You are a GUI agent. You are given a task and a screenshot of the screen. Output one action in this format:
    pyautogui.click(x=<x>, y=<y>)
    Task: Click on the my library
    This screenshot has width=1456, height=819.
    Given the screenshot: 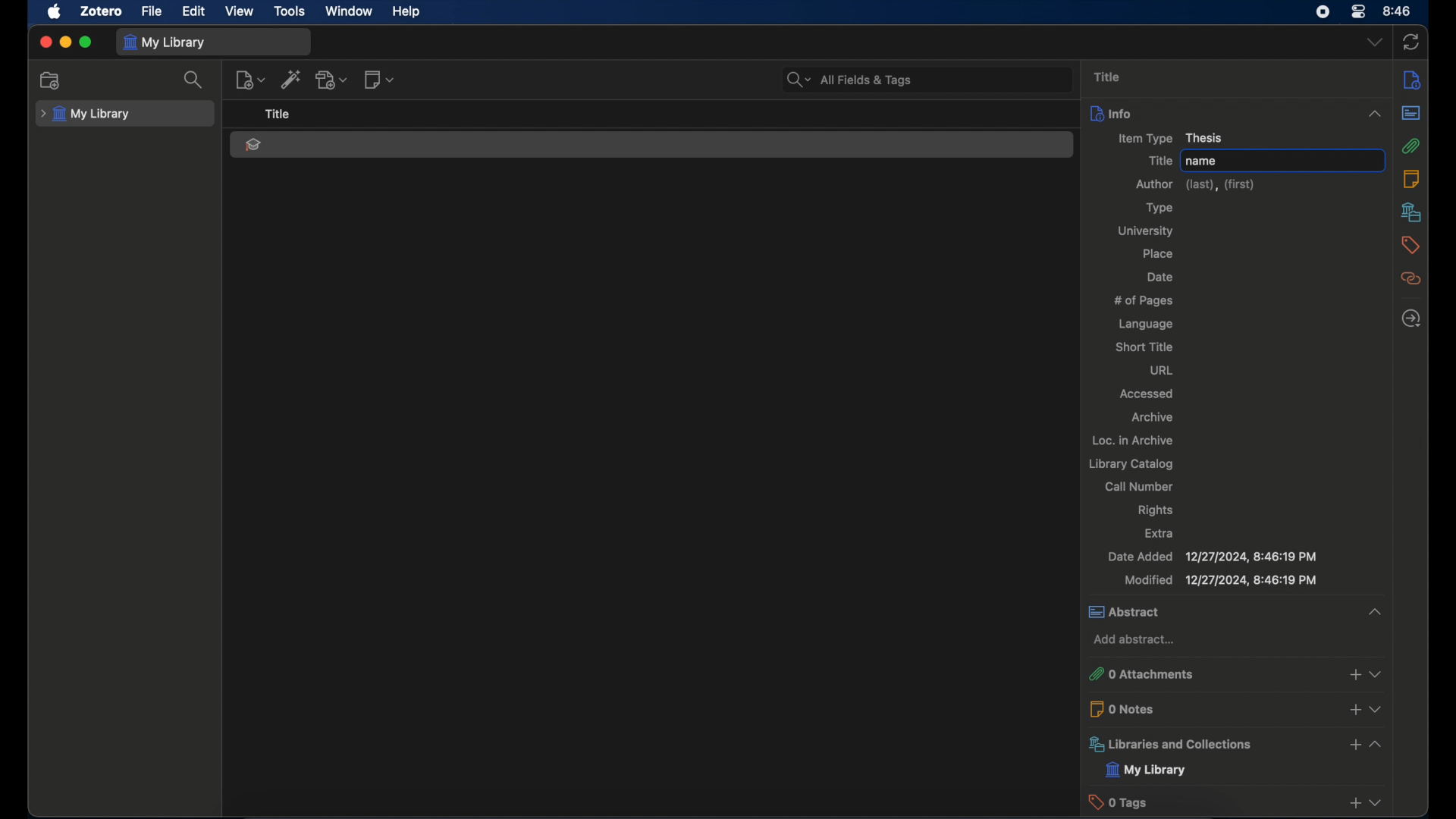 What is the action you would take?
    pyautogui.click(x=1147, y=770)
    